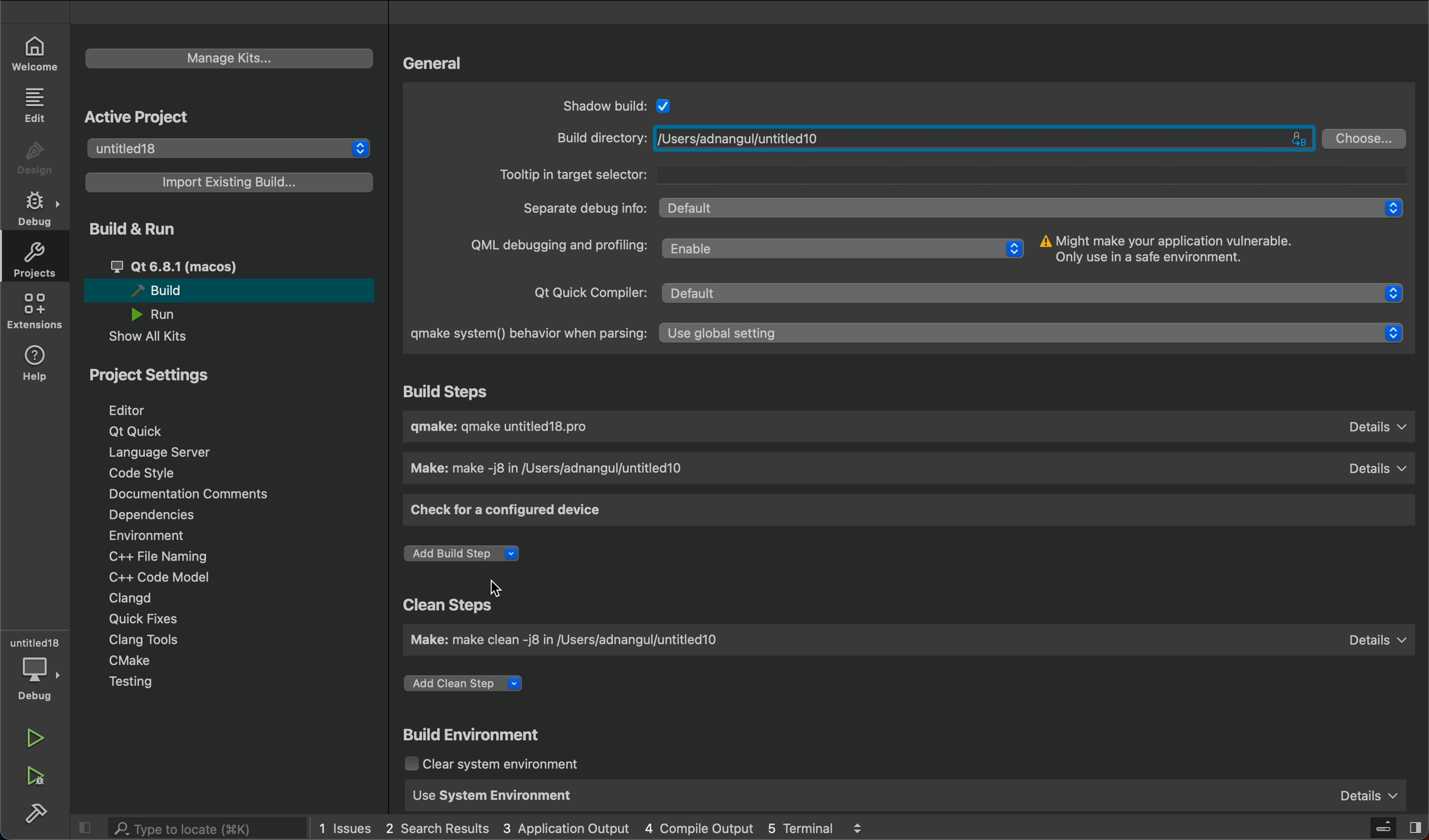 The image size is (1429, 840). What do you see at coordinates (150, 336) in the screenshot?
I see `Show All Kits` at bounding box center [150, 336].